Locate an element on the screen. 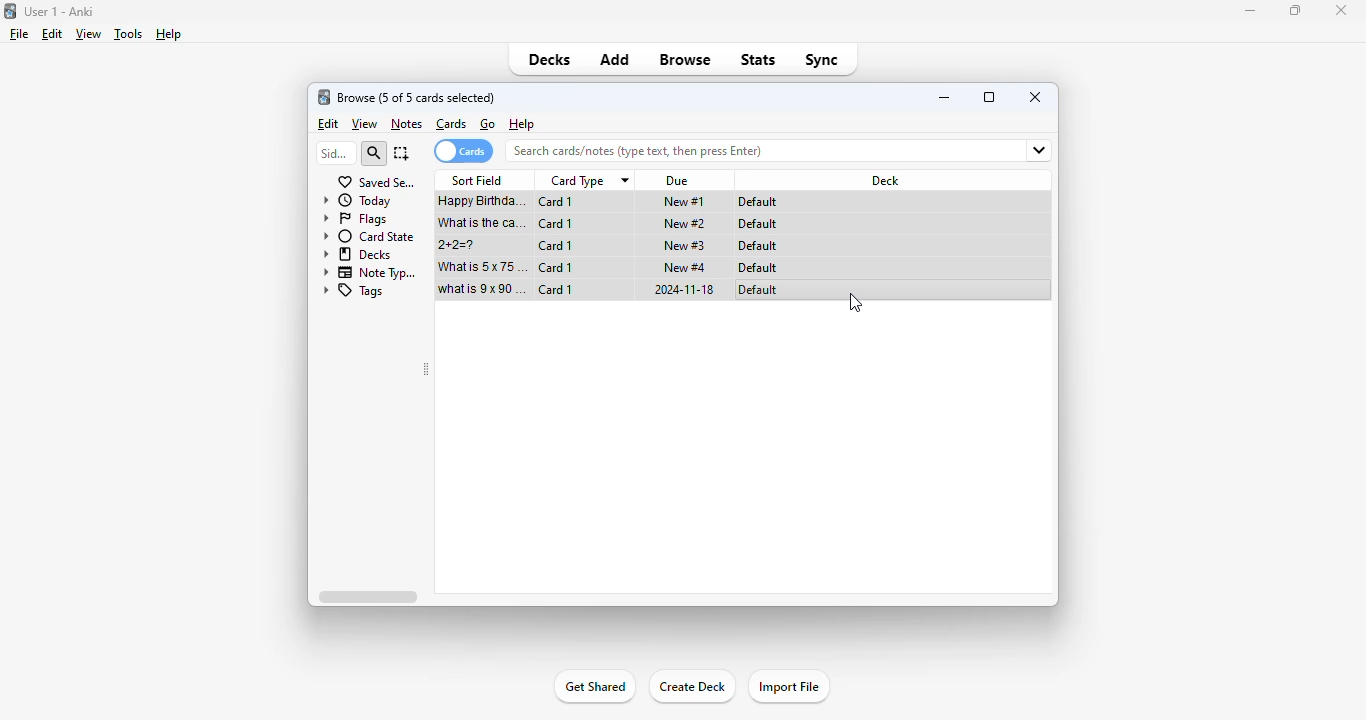 Image resolution: width=1366 pixels, height=720 pixels. browse is located at coordinates (685, 59).